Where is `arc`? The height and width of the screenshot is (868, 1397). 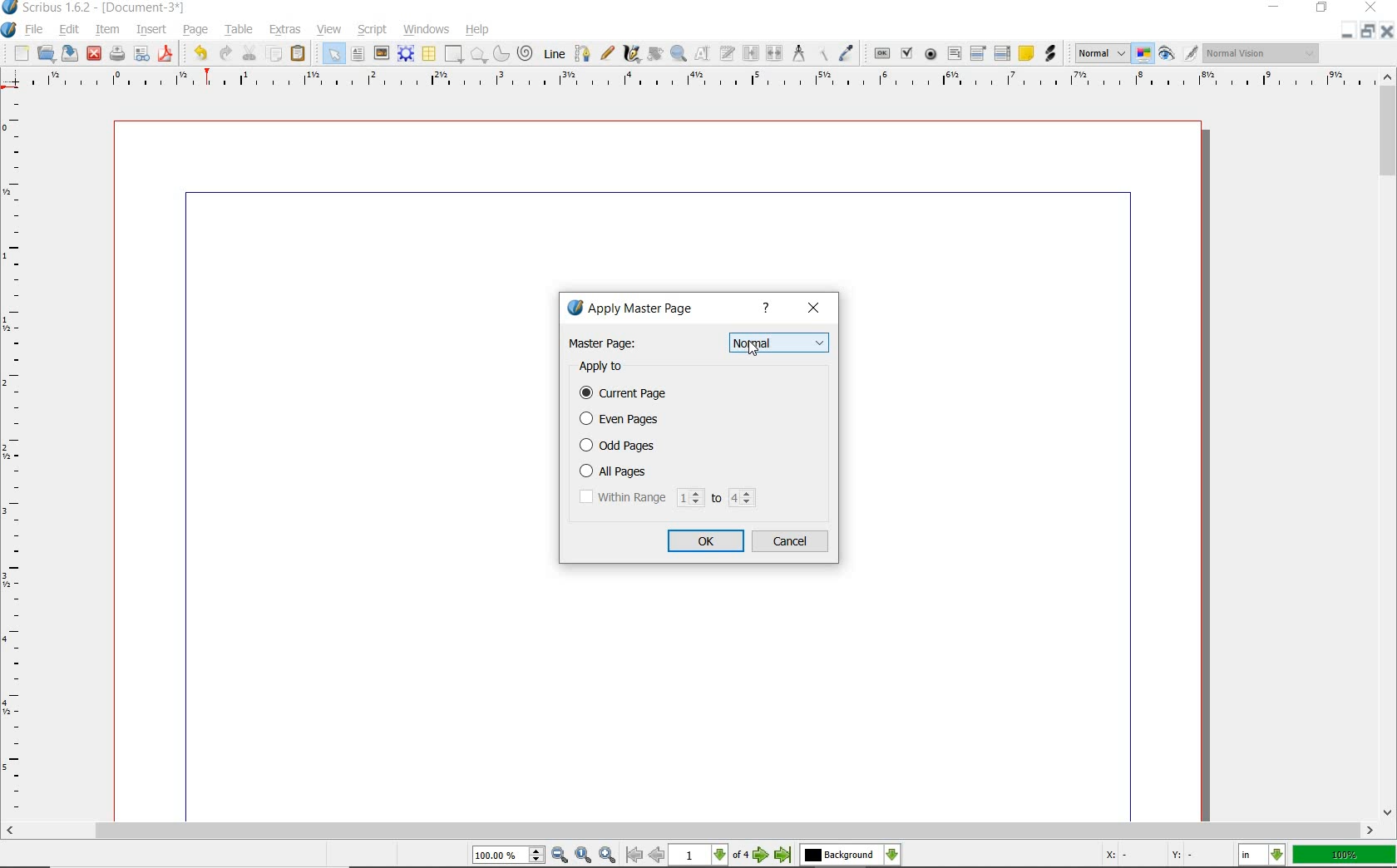
arc is located at coordinates (500, 53).